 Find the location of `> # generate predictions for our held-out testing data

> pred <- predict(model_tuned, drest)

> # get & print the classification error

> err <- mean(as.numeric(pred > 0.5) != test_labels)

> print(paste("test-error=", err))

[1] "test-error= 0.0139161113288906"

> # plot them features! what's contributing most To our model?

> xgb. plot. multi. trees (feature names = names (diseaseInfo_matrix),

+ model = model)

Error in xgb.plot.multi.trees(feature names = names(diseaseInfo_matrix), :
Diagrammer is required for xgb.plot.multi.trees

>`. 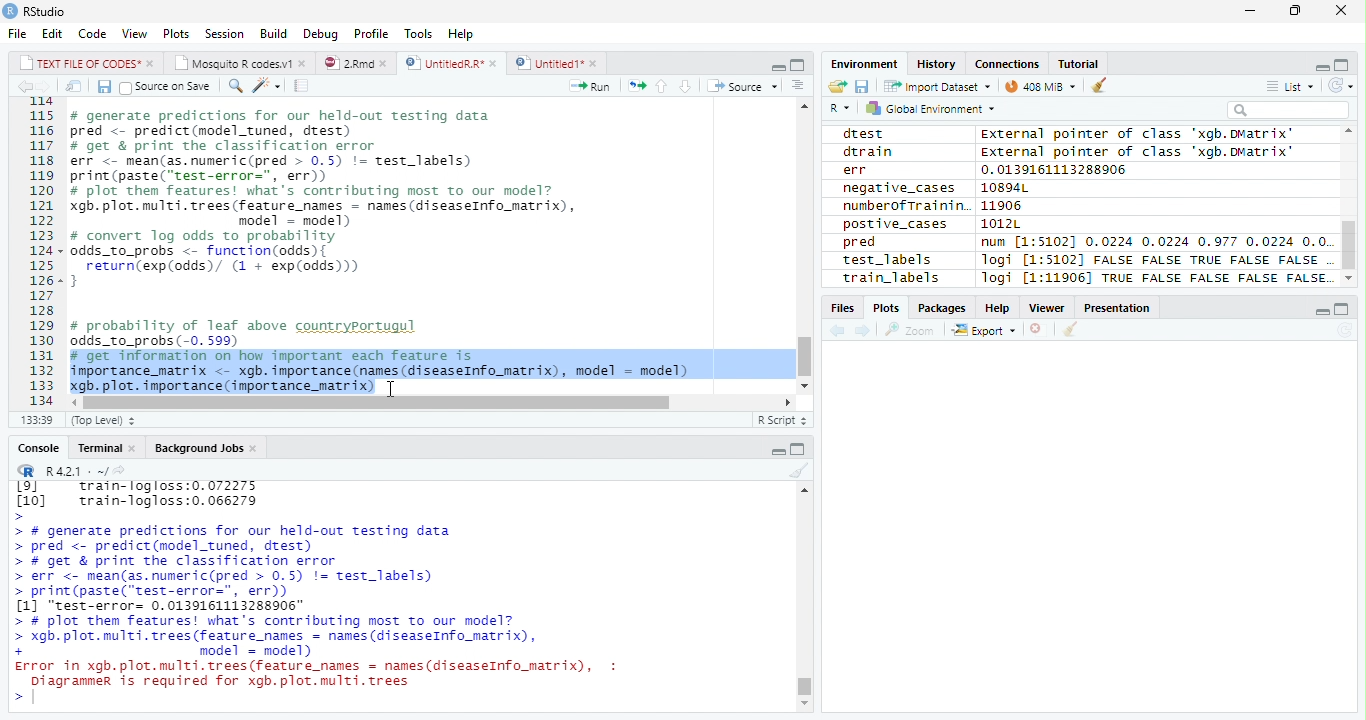

> # generate predictions for our held-out testing data

> pred <- predict(model_tuned, drest)

> # get & print the classification error

> err <- mean(as.numeric(pred > 0.5) != test_labels)

> print(paste("test-error=", err))

[1] "test-error= 0.0139161113288906"

> # plot them features! what's contributing most To our model?

> xgb. plot. multi. trees (feature names = names (diseaseInfo_matrix),

+ model = model)

Error in xgb.plot.multi.trees(feature names = names(diseaseInfo_matrix), :
Diagrammer is required for xgb.plot.multi.trees

> is located at coordinates (323, 612).